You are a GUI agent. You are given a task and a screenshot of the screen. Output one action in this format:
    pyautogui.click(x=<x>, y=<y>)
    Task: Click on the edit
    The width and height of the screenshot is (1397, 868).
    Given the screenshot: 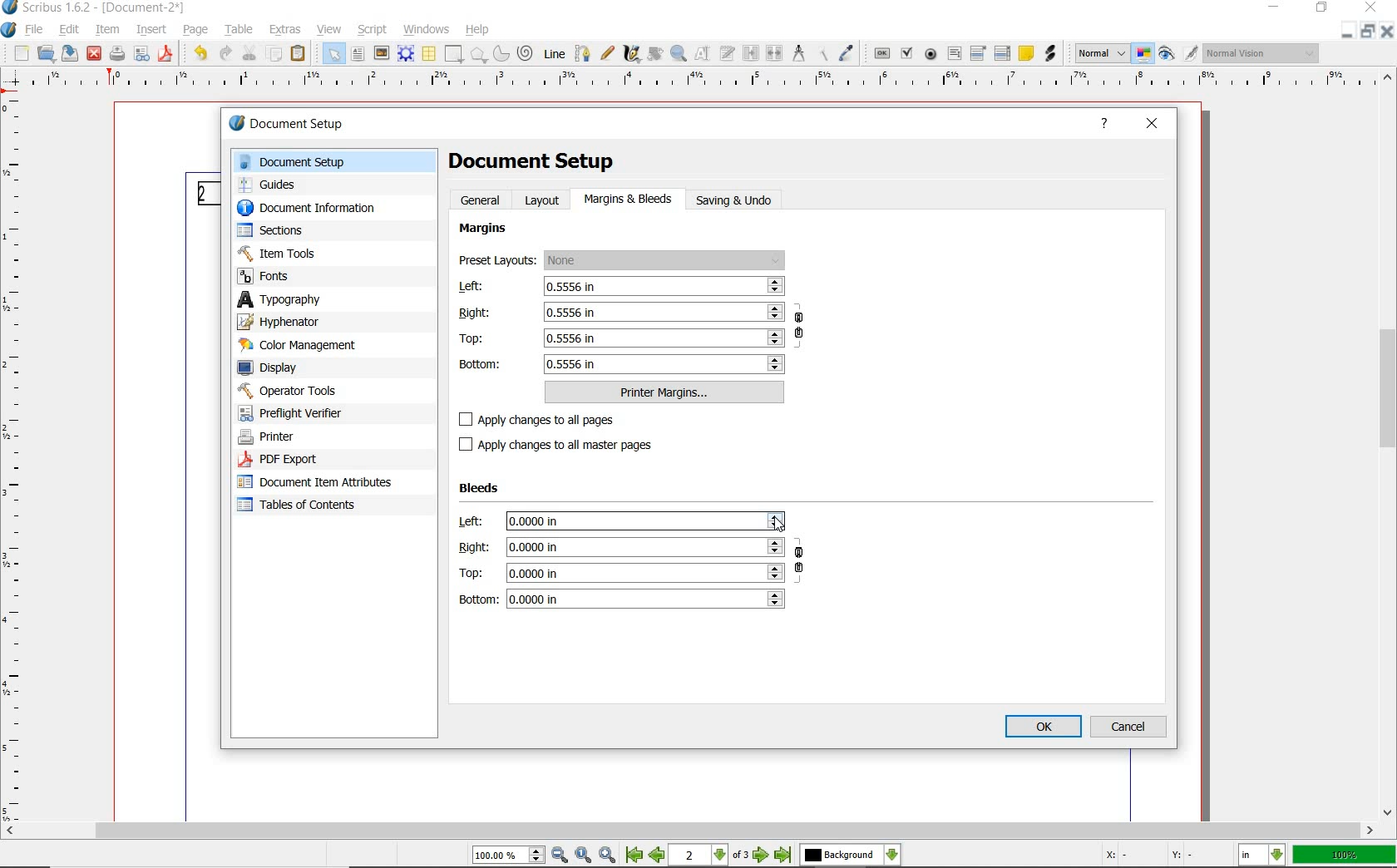 What is the action you would take?
    pyautogui.click(x=68, y=29)
    